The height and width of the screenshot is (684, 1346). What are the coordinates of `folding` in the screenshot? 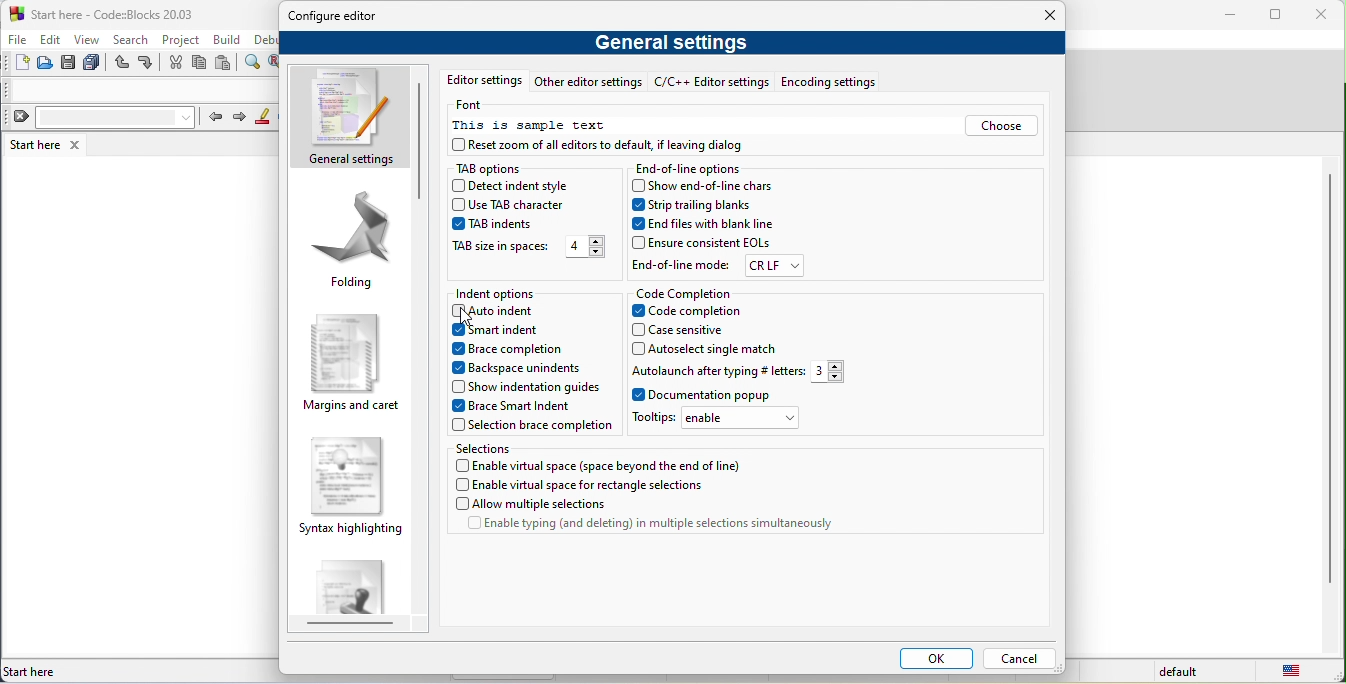 It's located at (355, 243).